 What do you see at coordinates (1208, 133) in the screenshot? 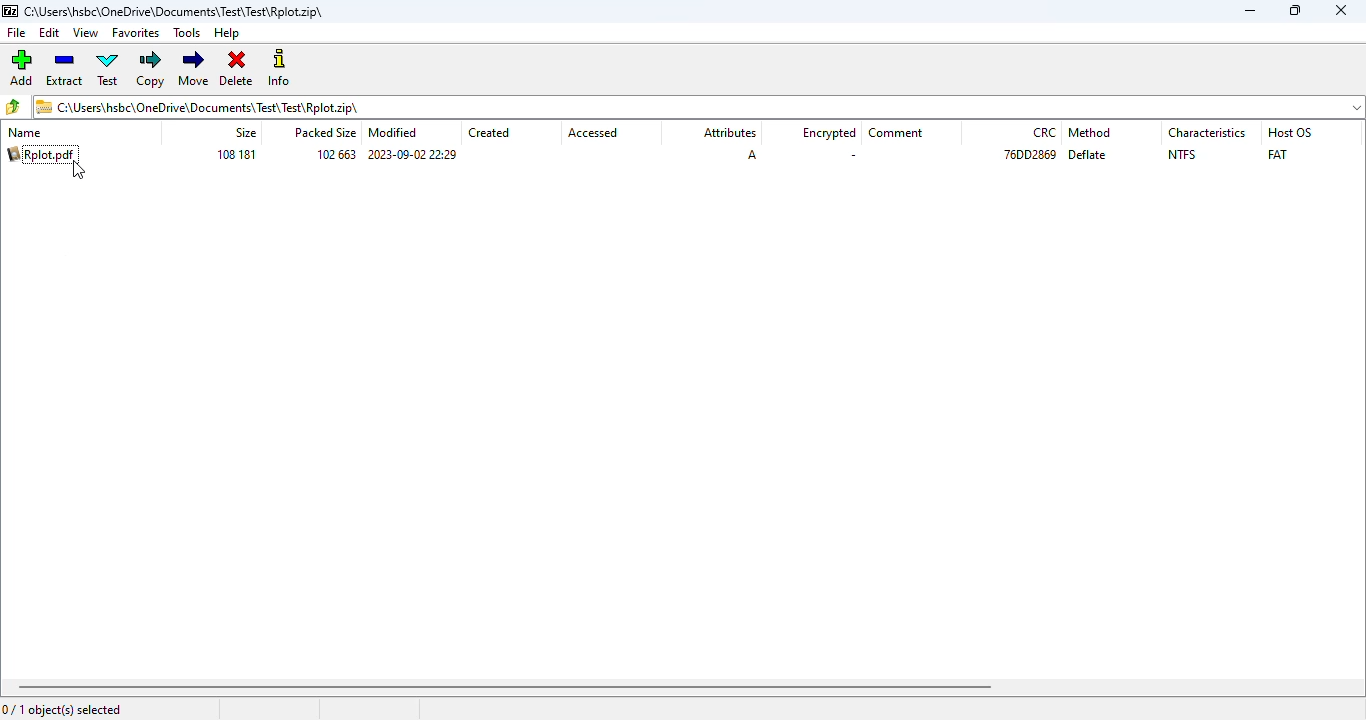
I see `characteristics` at bounding box center [1208, 133].